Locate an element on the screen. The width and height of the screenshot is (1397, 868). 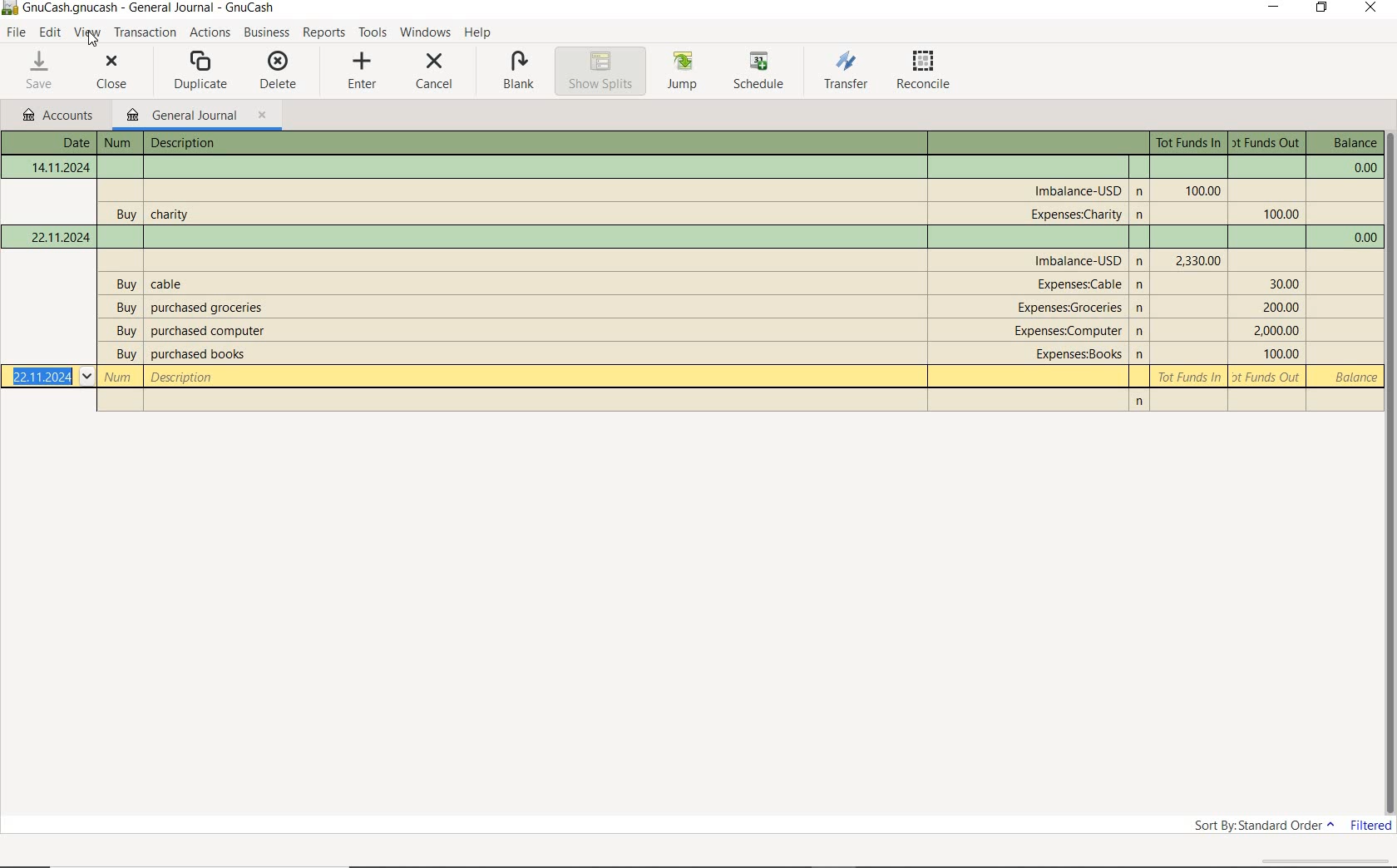
Tot Funds Out is located at coordinates (1281, 215).